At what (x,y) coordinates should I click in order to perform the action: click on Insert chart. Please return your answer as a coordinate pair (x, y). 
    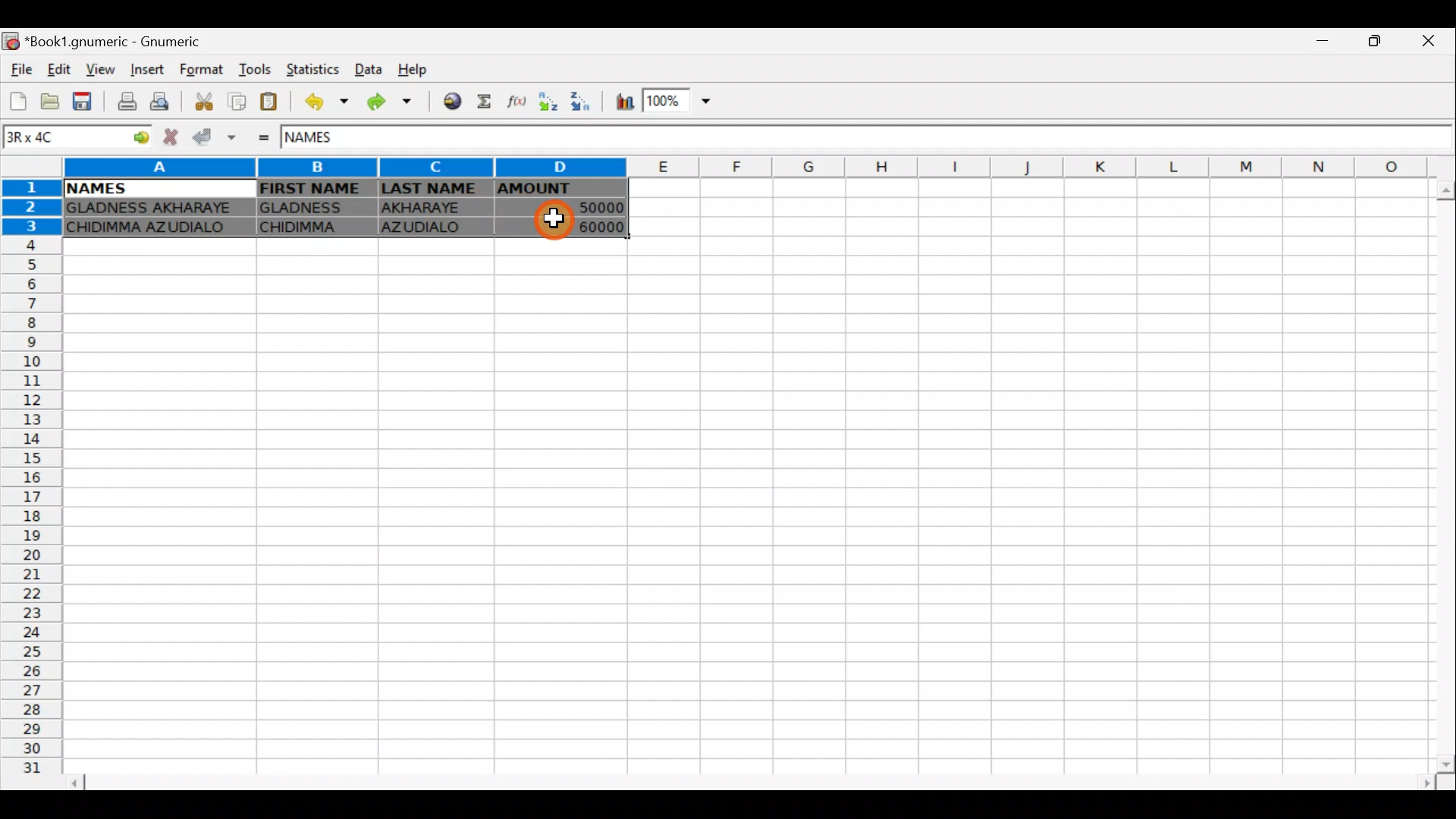
    Looking at the image, I should click on (624, 102).